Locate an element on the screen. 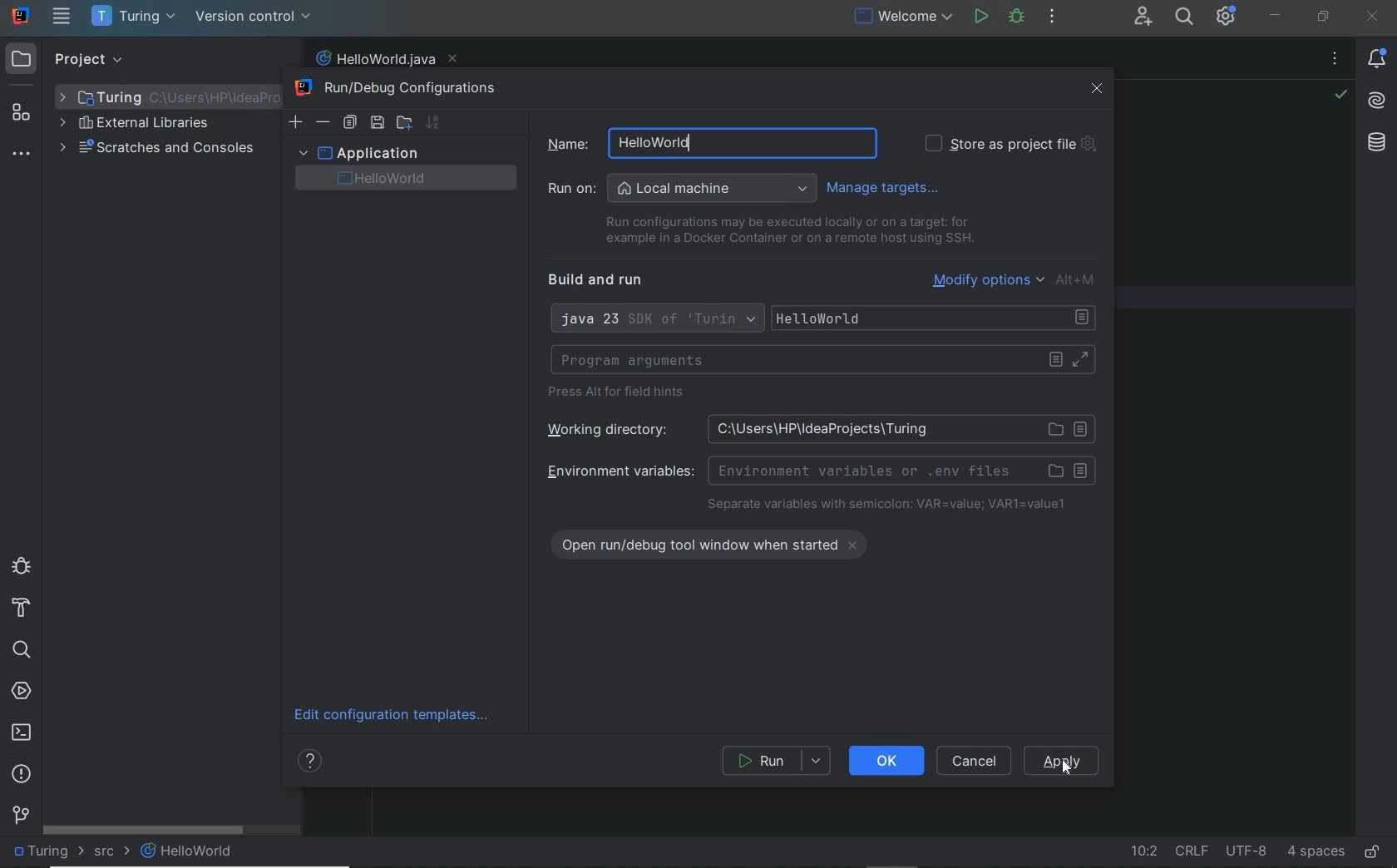  src is located at coordinates (111, 854).